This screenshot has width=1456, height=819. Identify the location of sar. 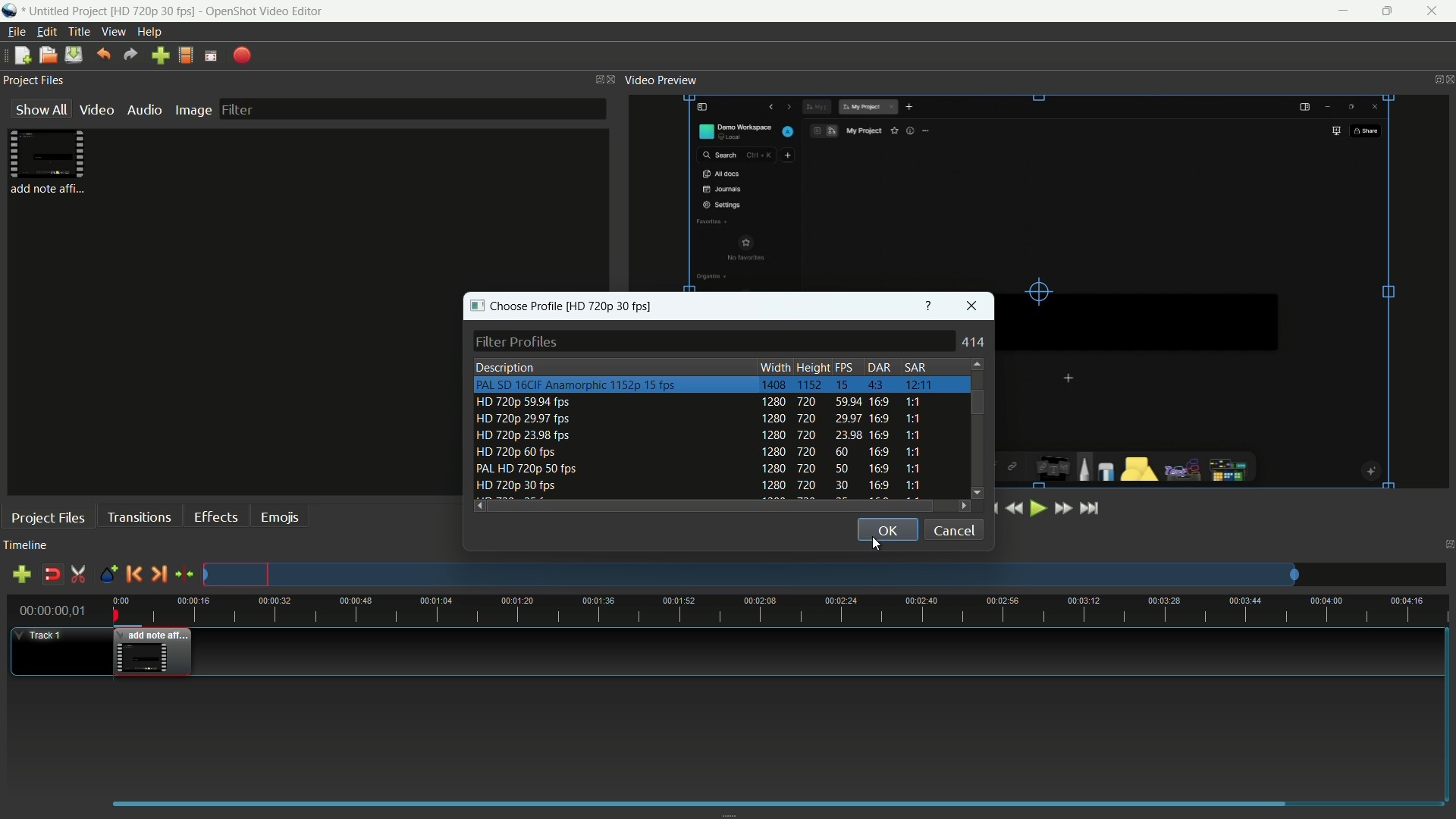
(915, 367).